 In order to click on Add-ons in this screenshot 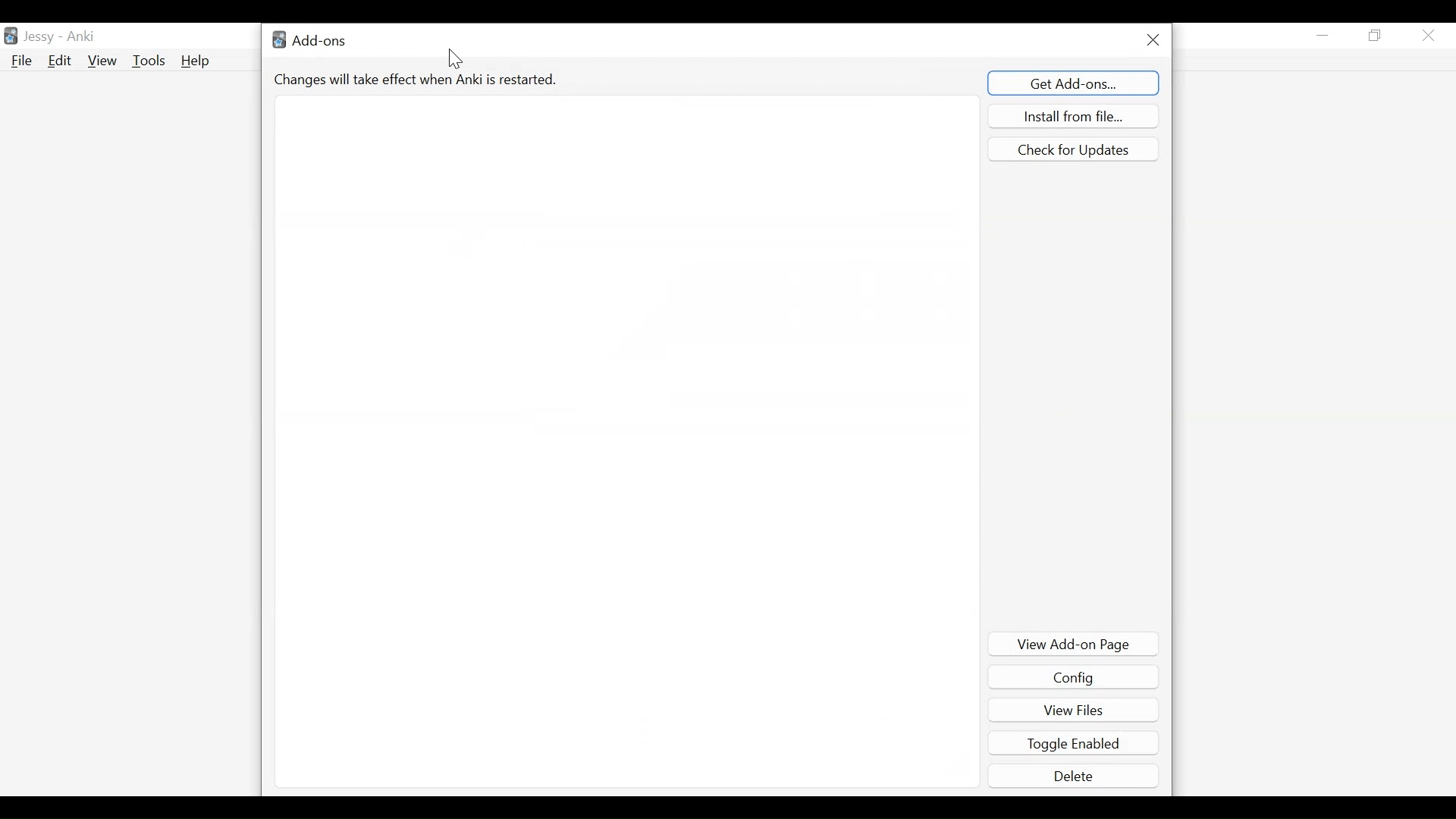, I will do `click(313, 39)`.